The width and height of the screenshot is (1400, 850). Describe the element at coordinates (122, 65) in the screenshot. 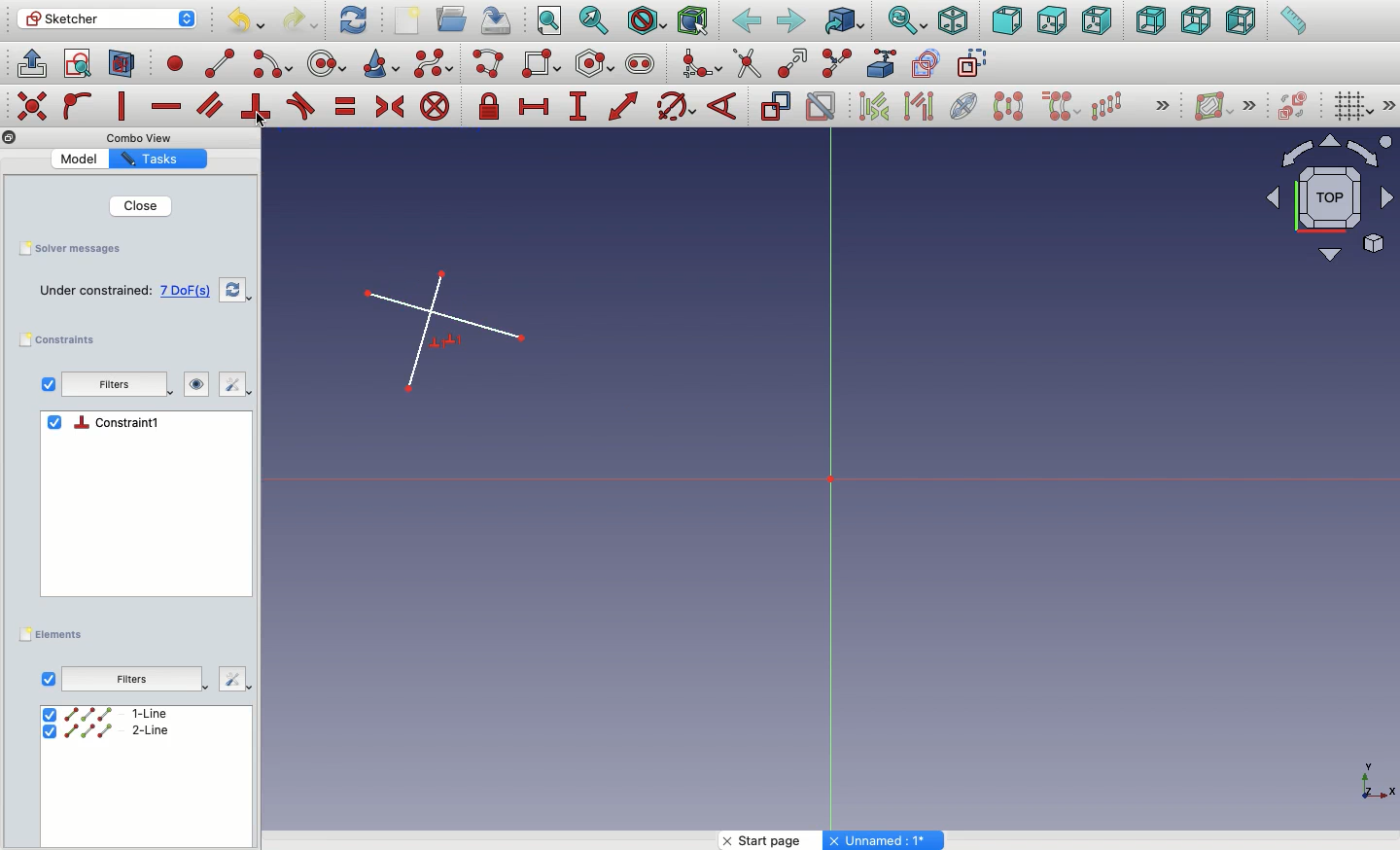

I see `View section` at that location.